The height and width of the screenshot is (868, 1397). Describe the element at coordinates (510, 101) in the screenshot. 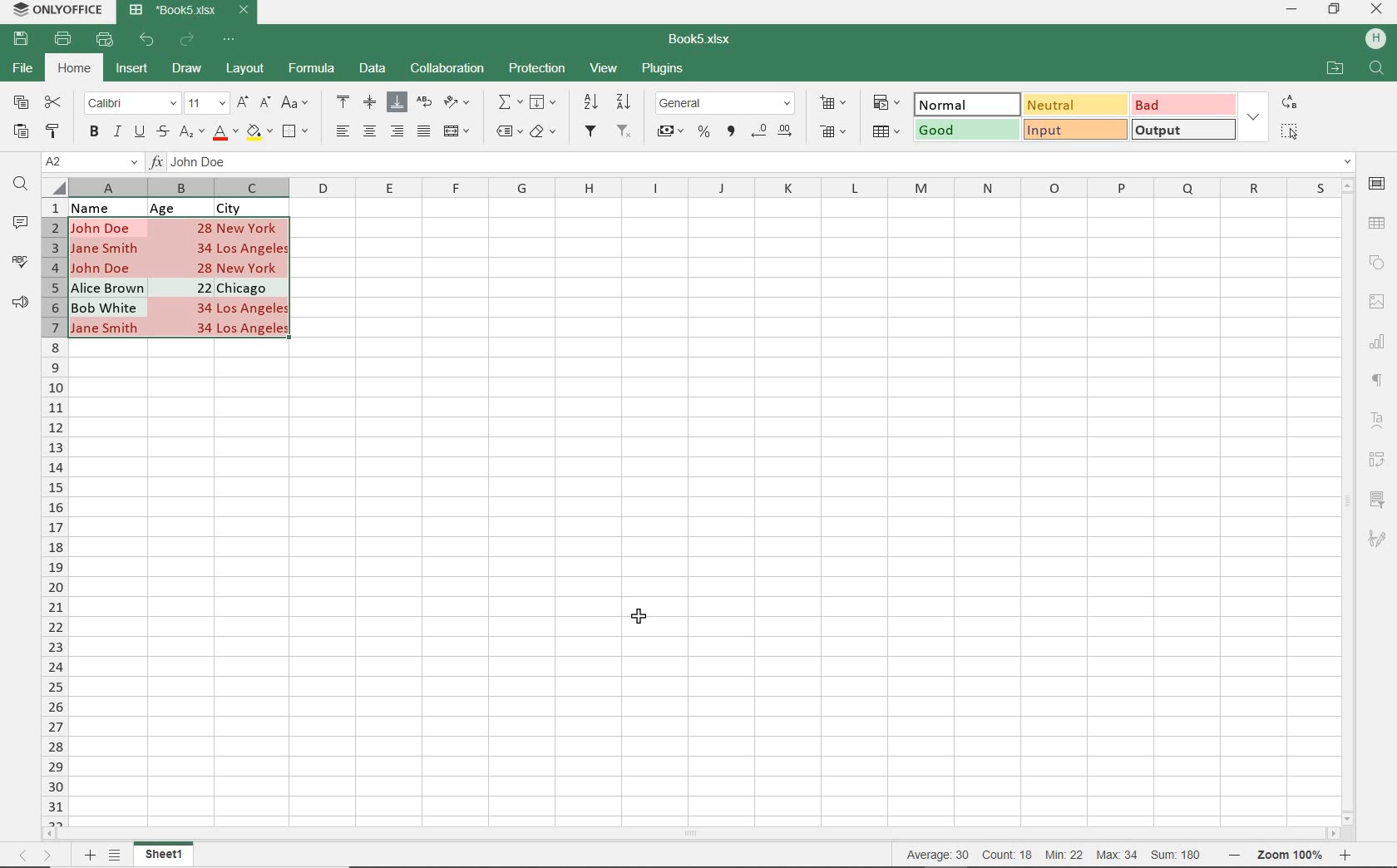

I see `INSERT FUNCTION` at that location.